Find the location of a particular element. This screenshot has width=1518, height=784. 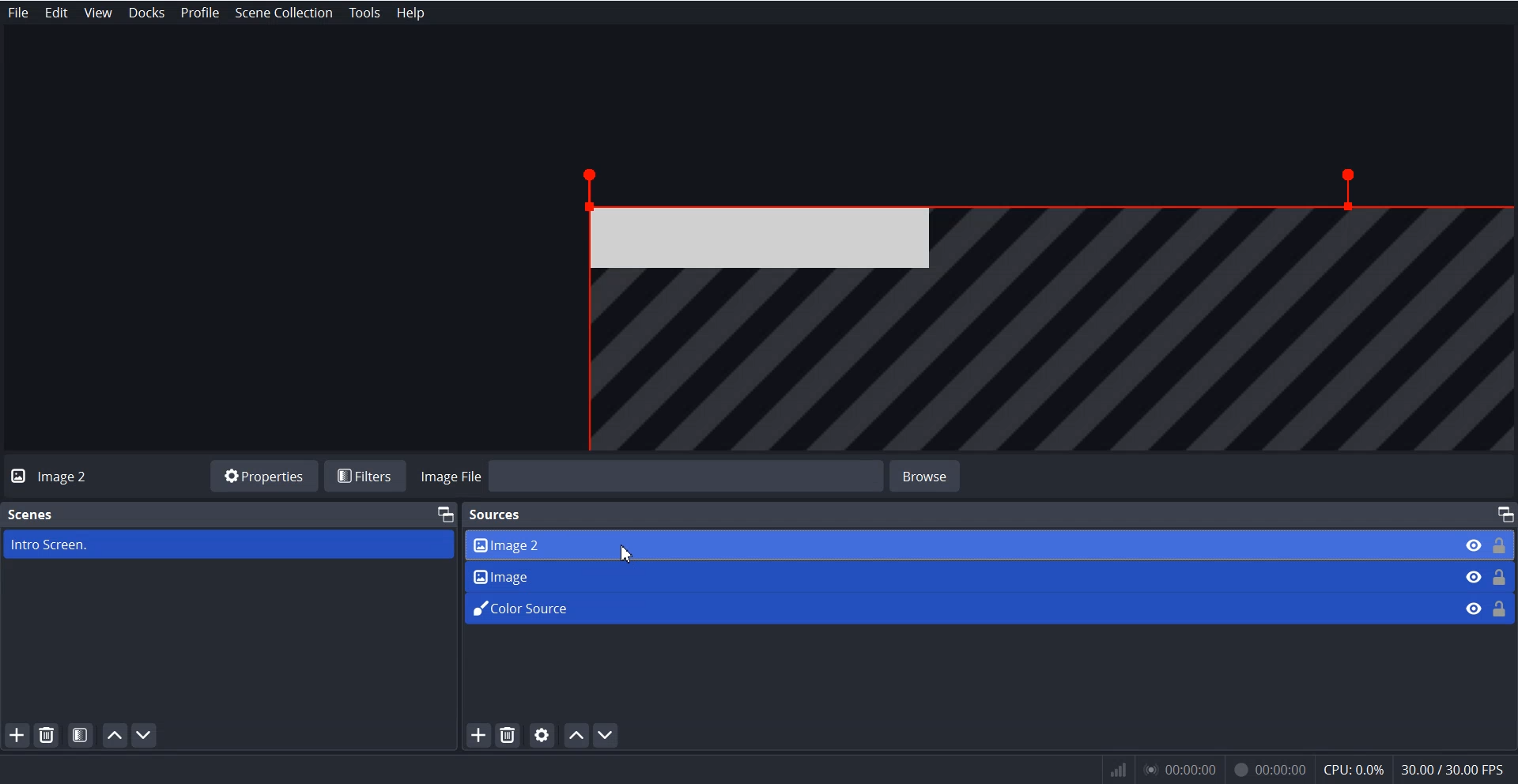

Edit is located at coordinates (57, 13).